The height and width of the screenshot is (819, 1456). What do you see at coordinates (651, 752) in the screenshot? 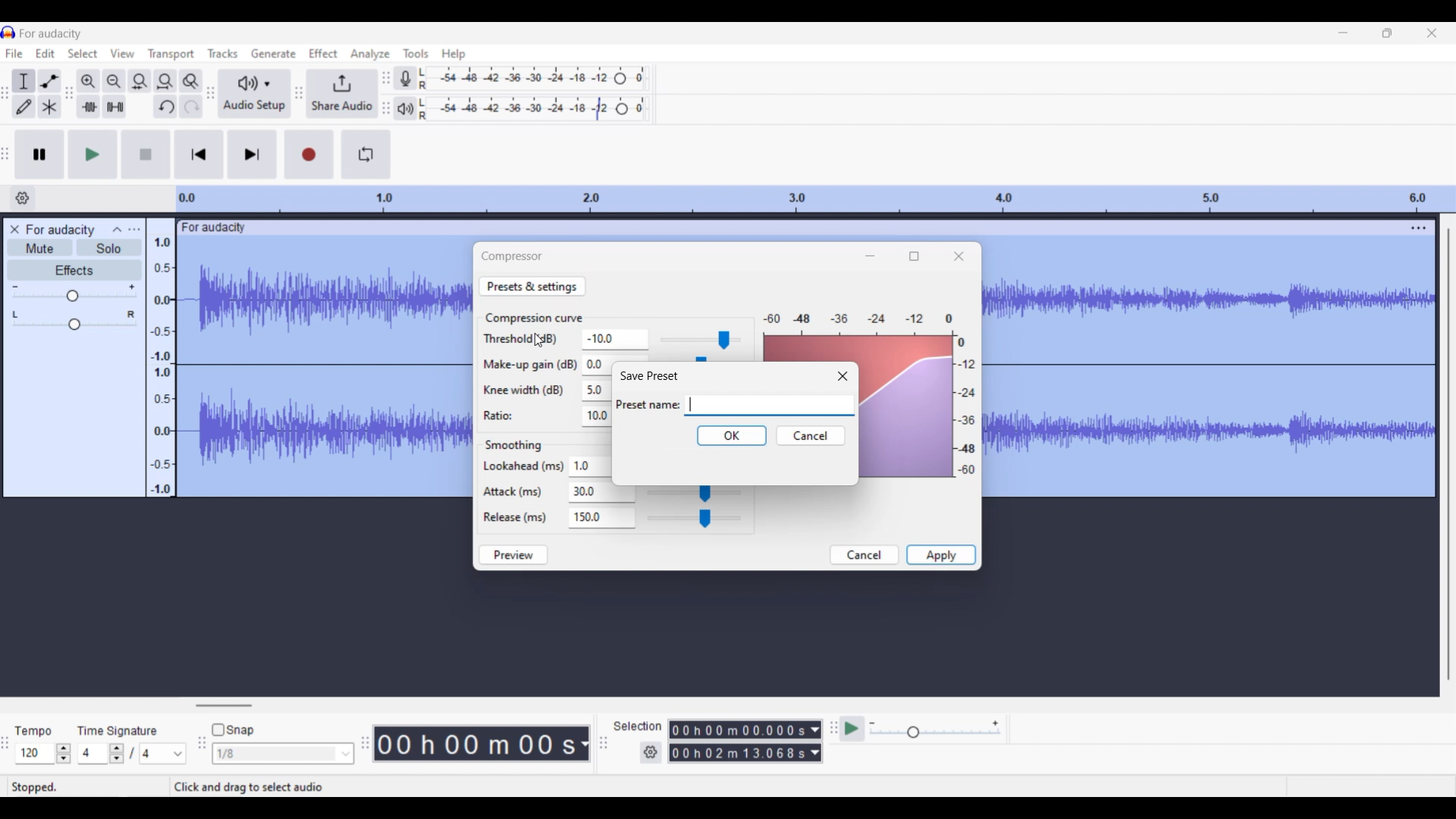
I see `Settings` at bounding box center [651, 752].